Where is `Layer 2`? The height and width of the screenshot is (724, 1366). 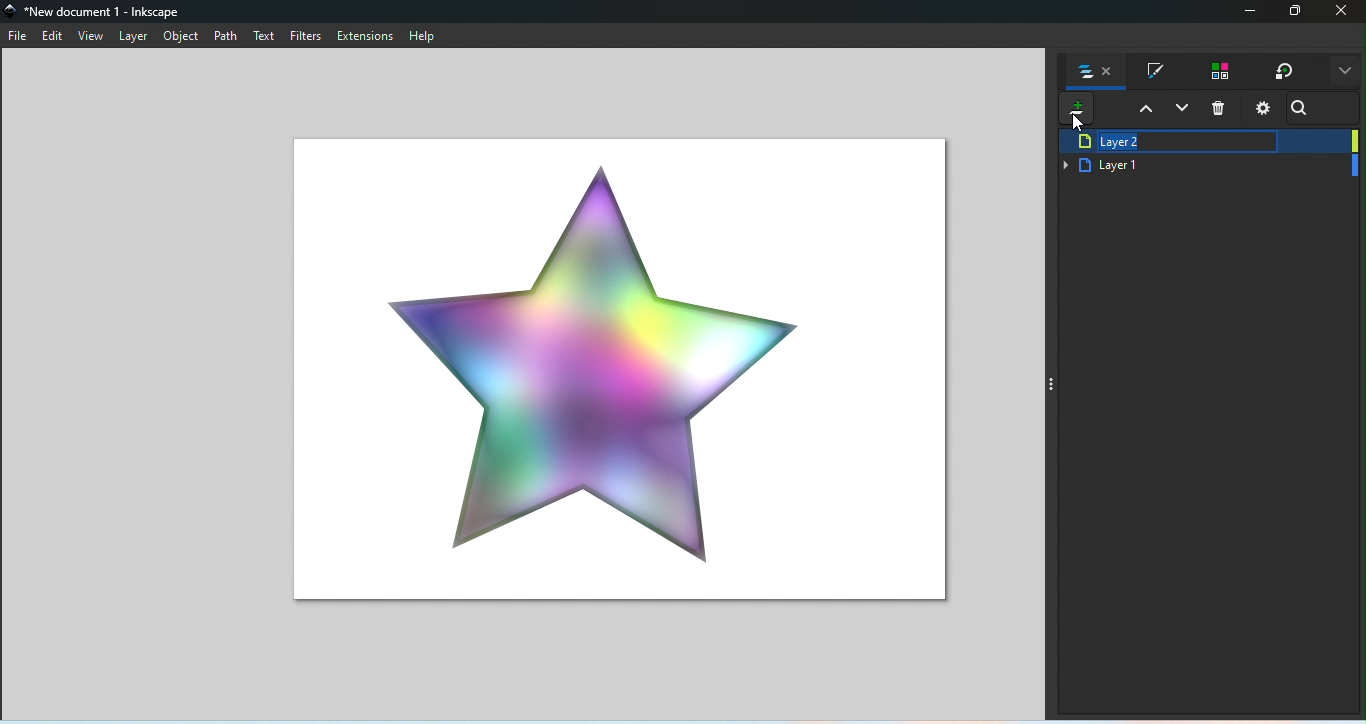 Layer 2 is located at coordinates (1206, 143).